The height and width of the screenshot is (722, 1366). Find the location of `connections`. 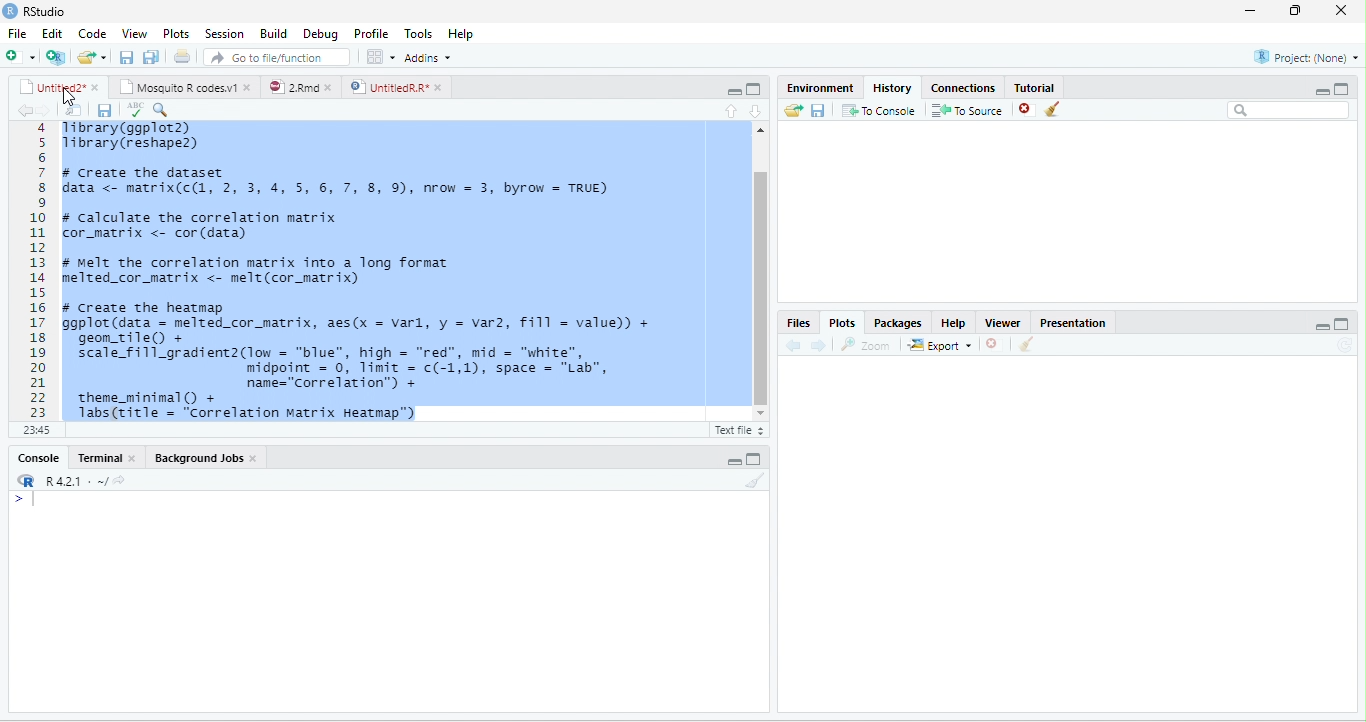

connections is located at coordinates (961, 86).